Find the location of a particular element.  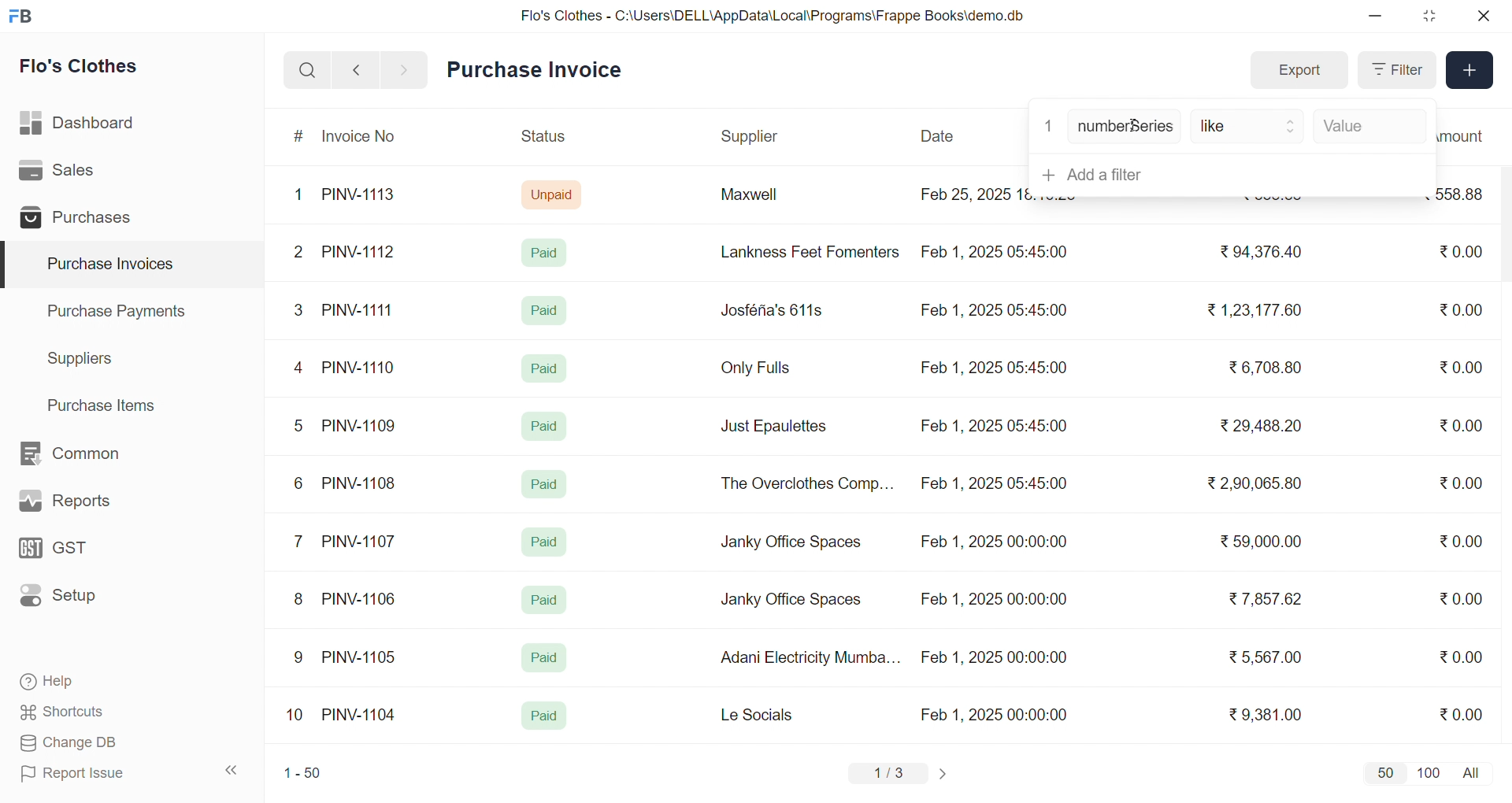

Janky Office Spaces is located at coordinates (791, 601).